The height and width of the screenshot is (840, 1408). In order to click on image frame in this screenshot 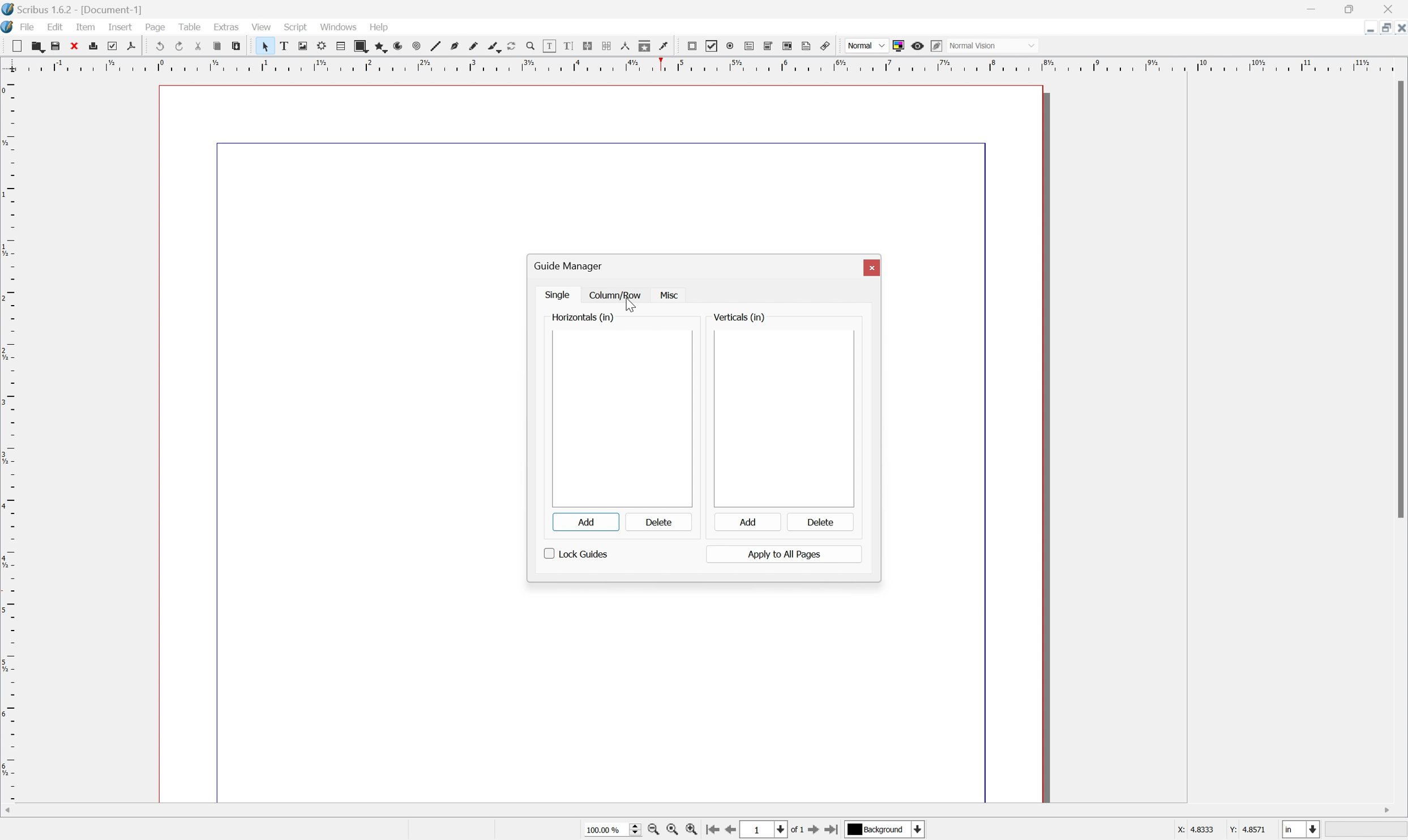, I will do `click(302, 45)`.